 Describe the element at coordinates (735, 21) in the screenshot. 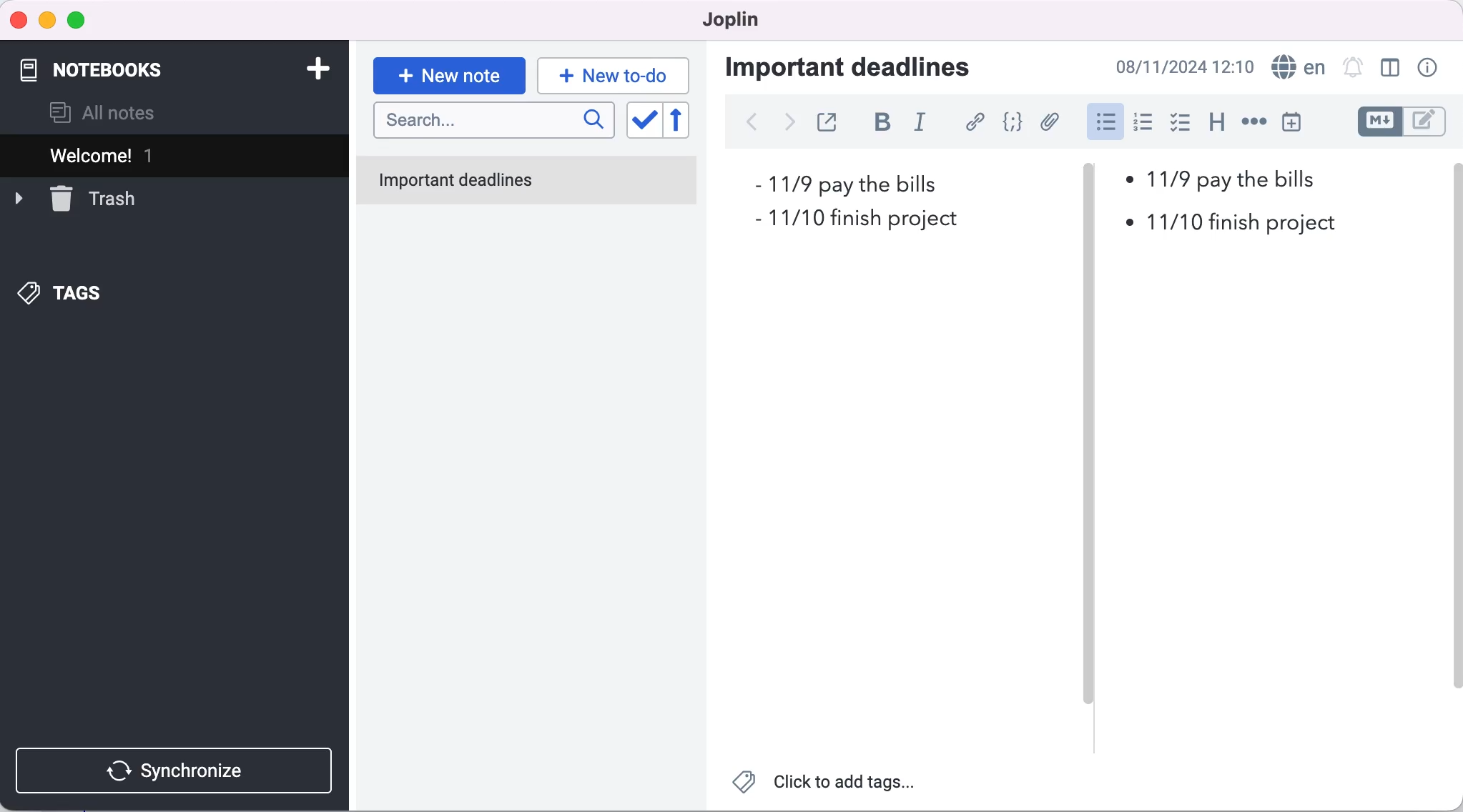

I see `joplin` at that location.